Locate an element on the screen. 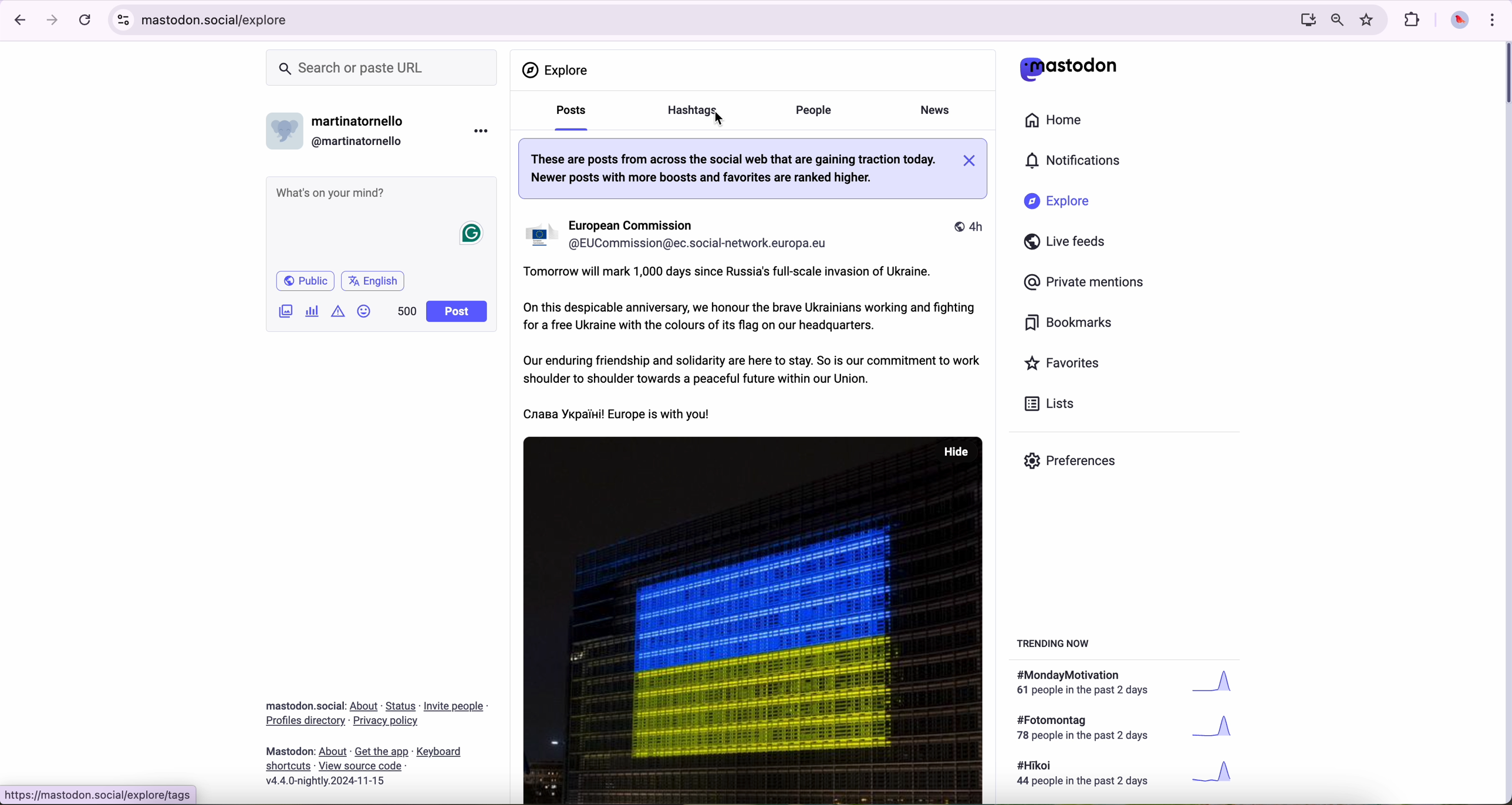 This screenshot has height=805, width=1512. cursor is located at coordinates (724, 123).